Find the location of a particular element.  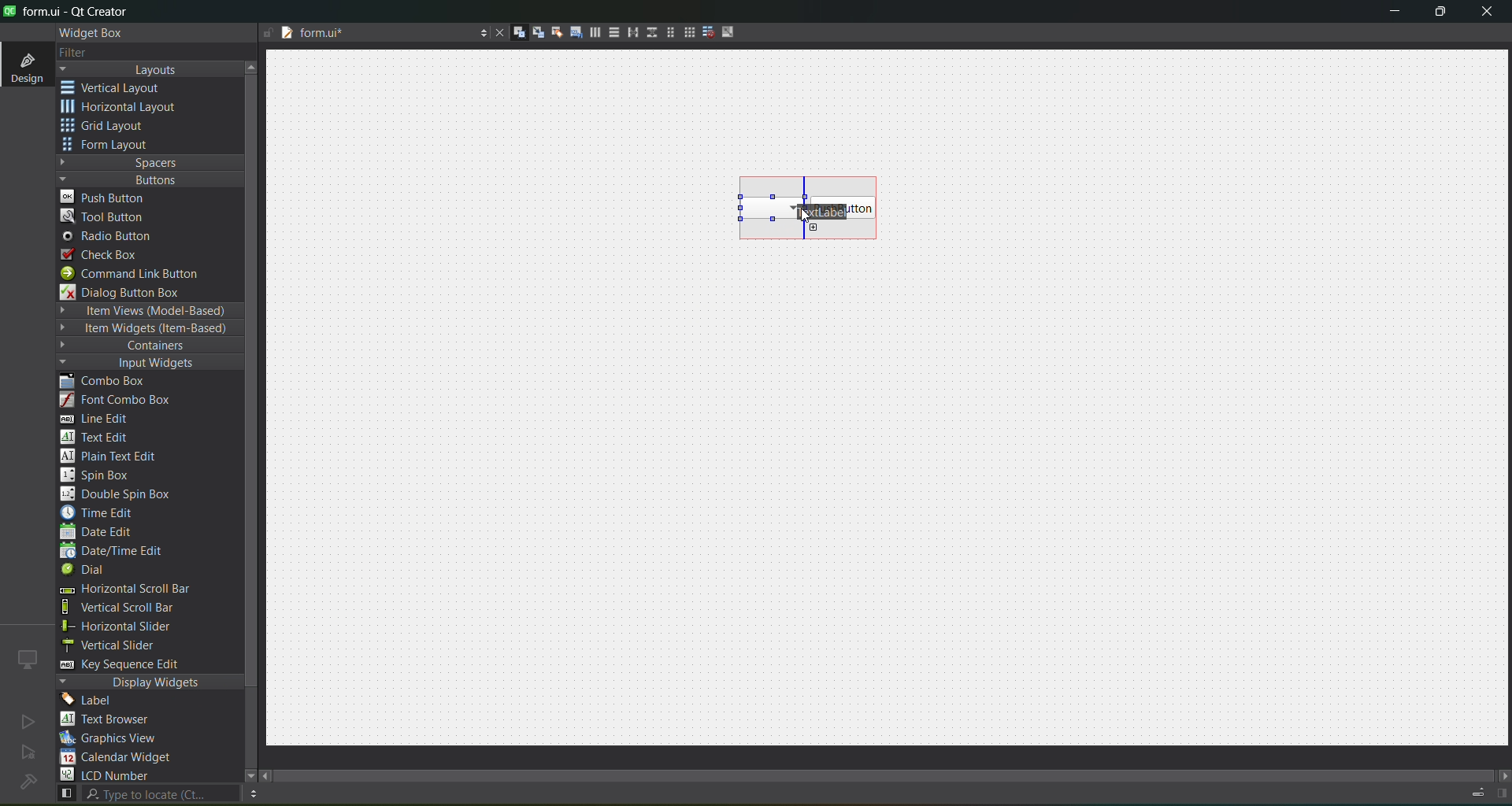

graphics is located at coordinates (115, 738).